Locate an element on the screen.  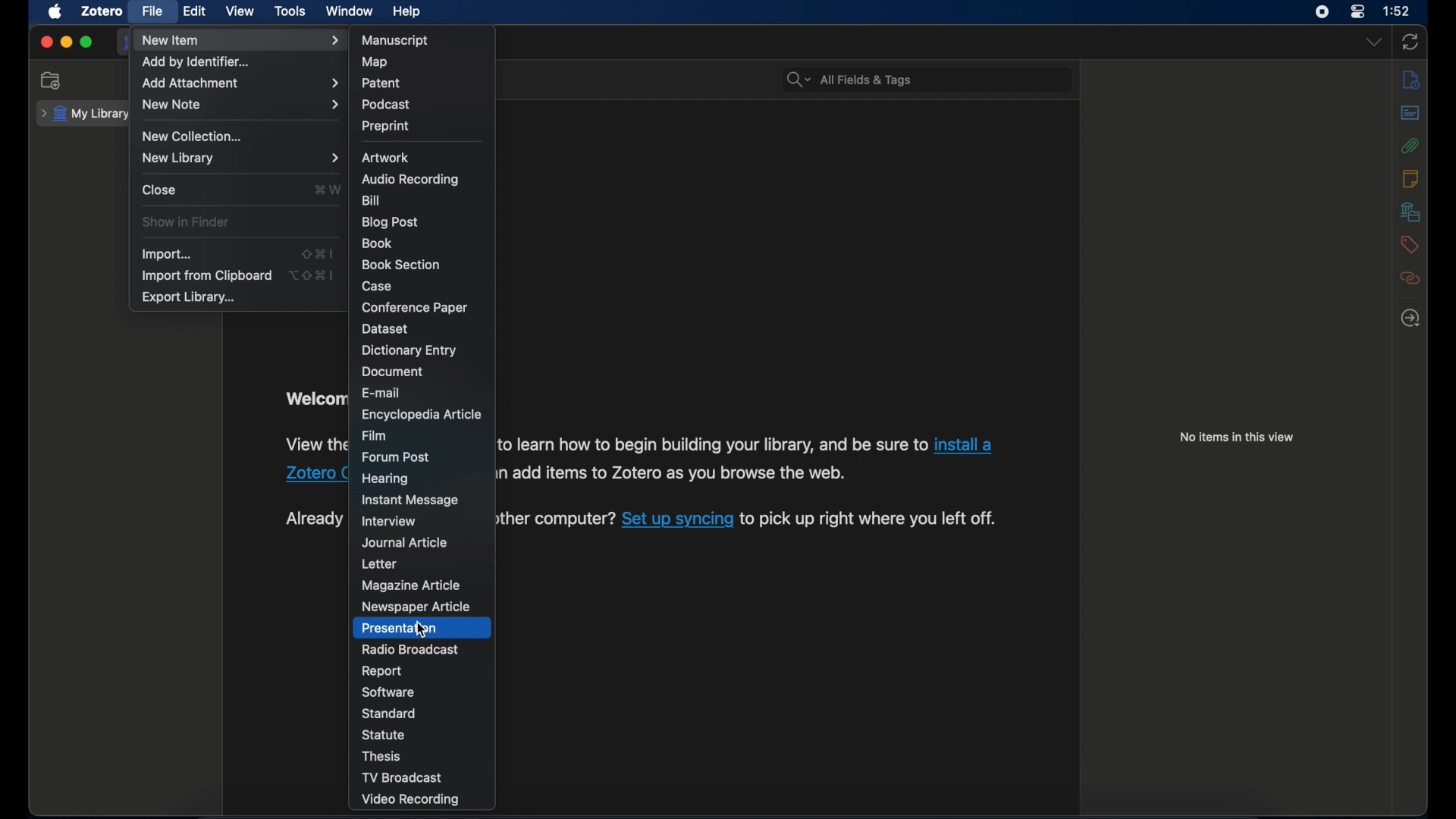
bill is located at coordinates (370, 200).